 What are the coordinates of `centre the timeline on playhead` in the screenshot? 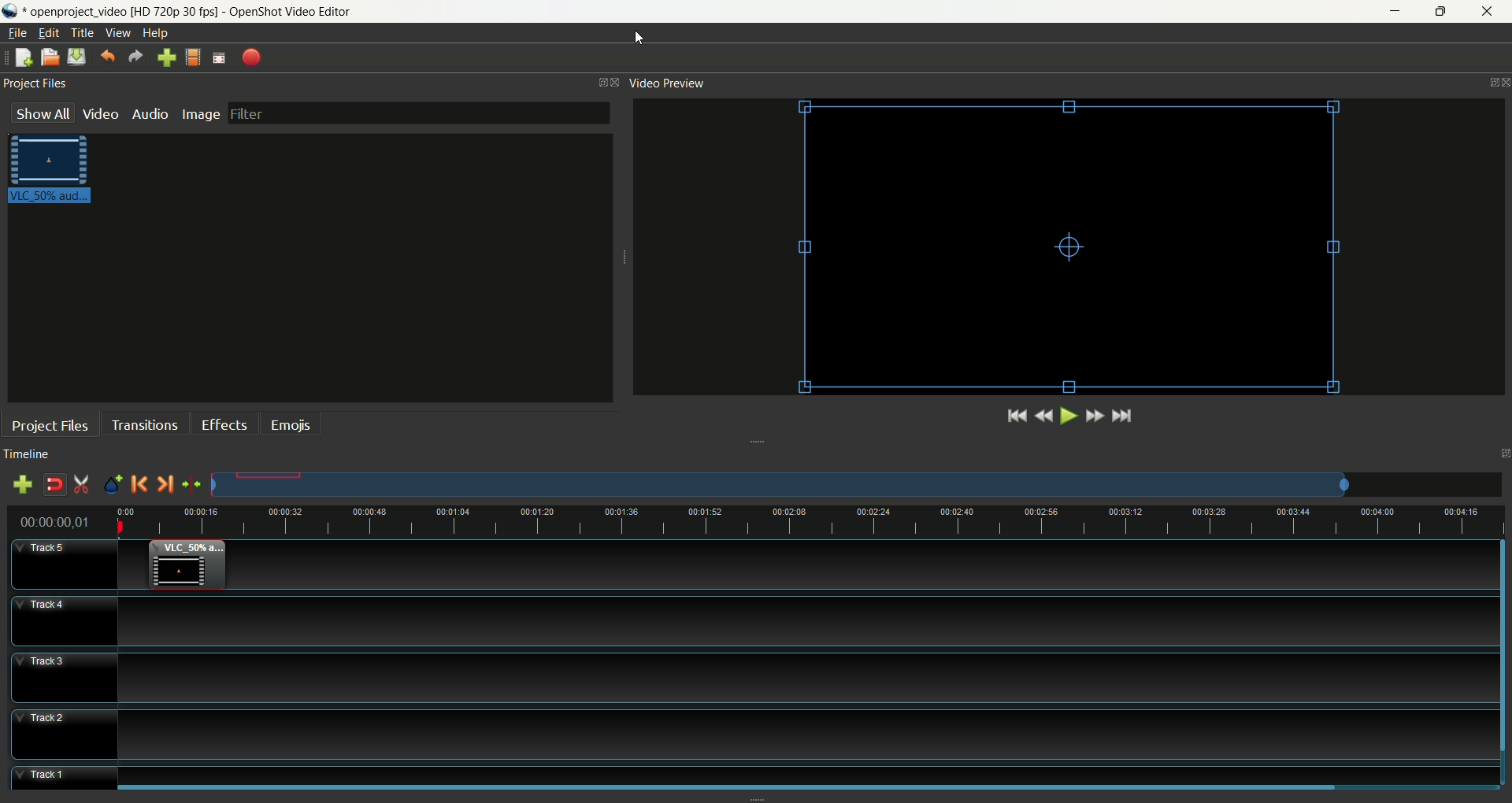 It's located at (191, 485).